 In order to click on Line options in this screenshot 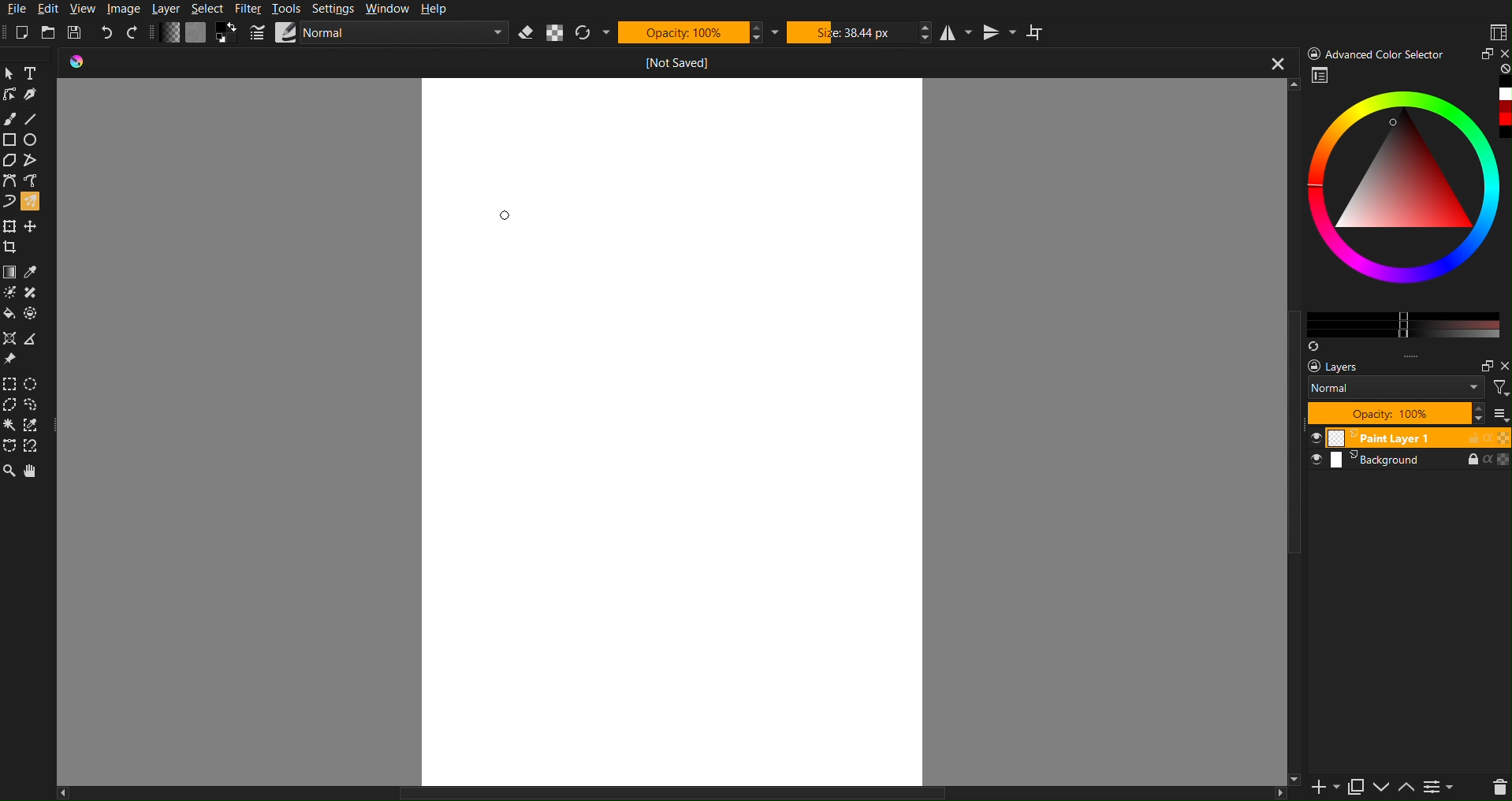, I will do `click(286, 32)`.